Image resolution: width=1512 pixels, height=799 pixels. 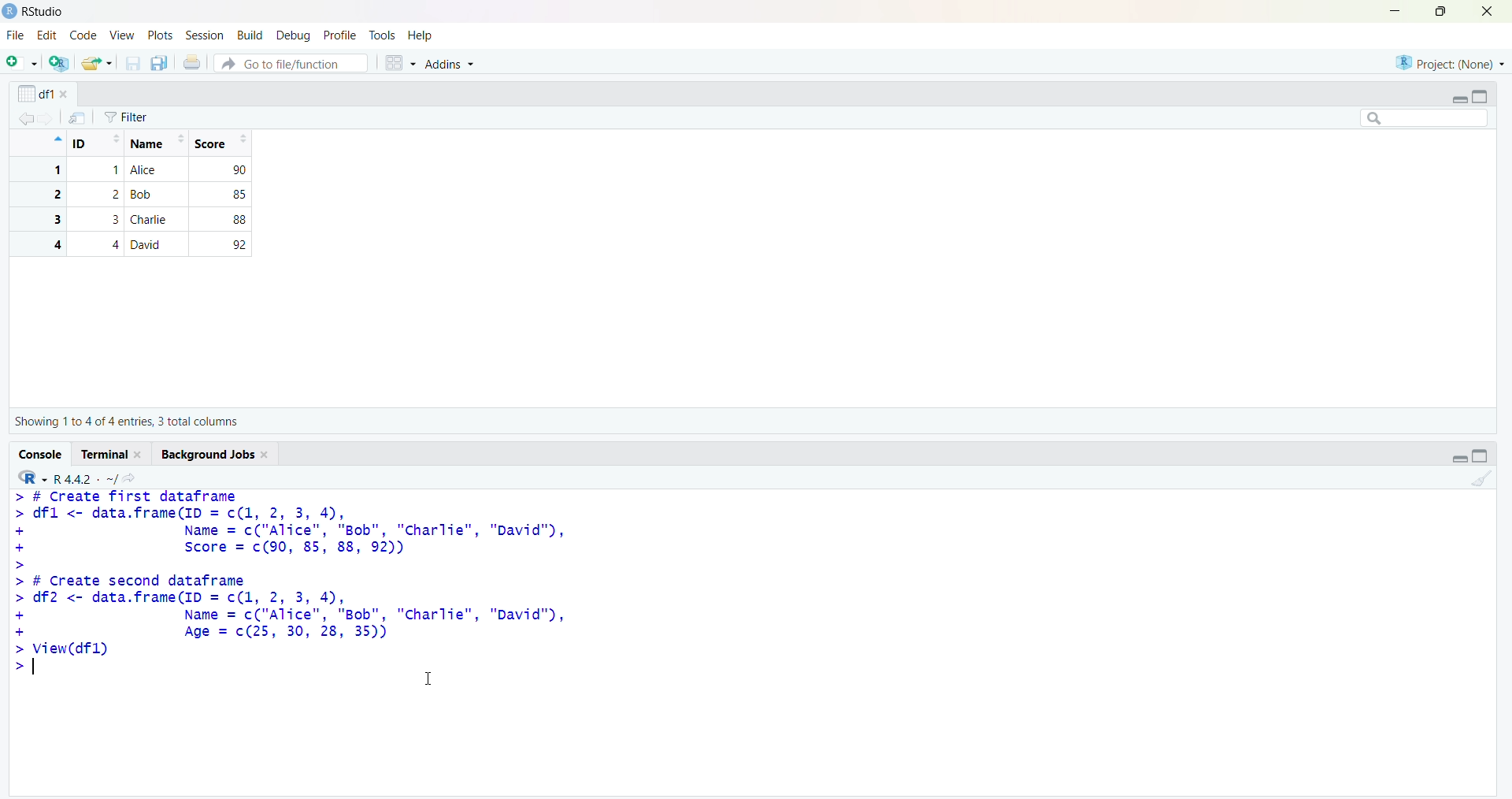 What do you see at coordinates (159, 63) in the screenshot?
I see `copy` at bounding box center [159, 63].